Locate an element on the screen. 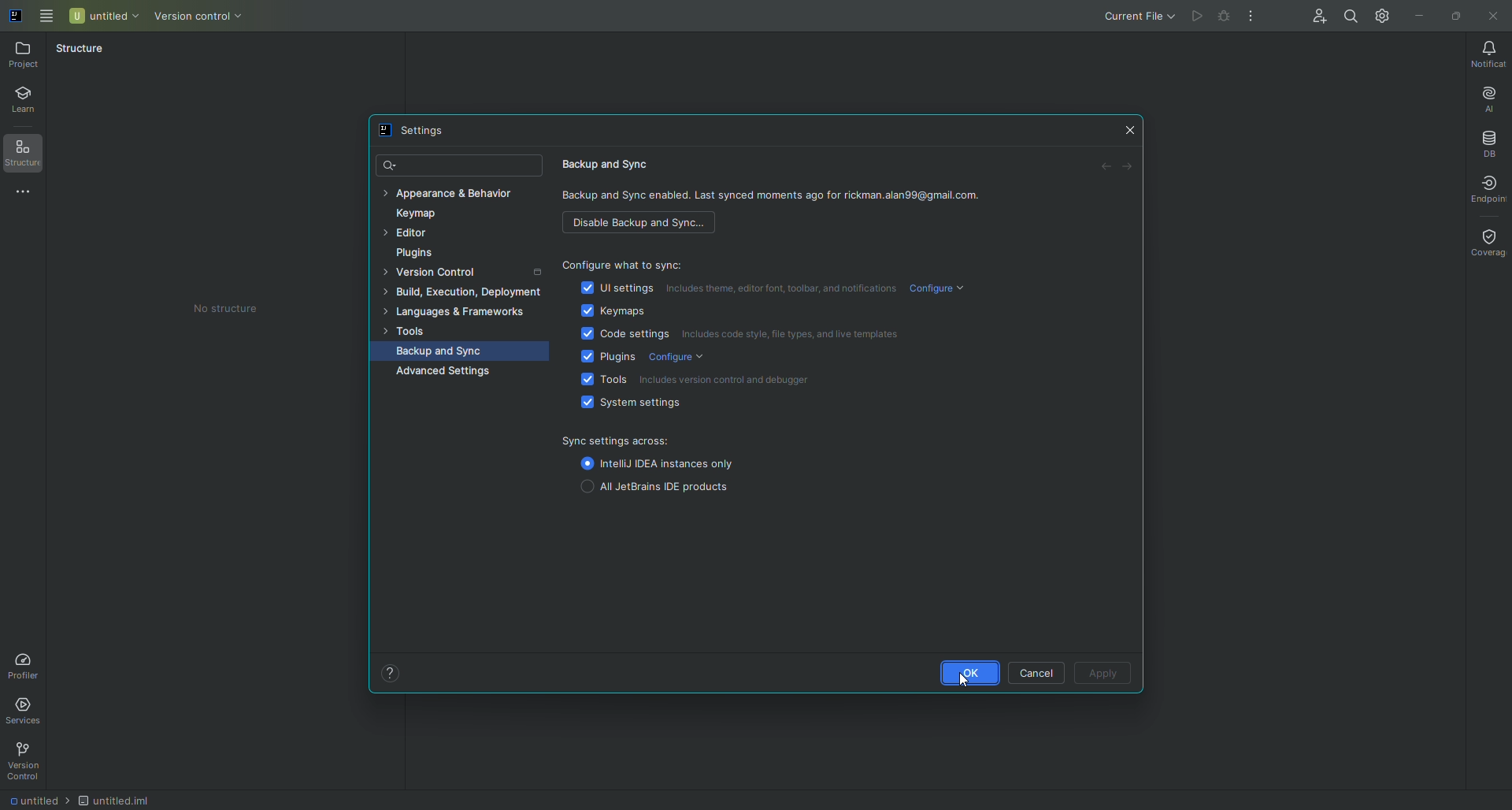 Image resolution: width=1512 pixels, height=810 pixels. All JetBrains IDE products is located at coordinates (652, 487).